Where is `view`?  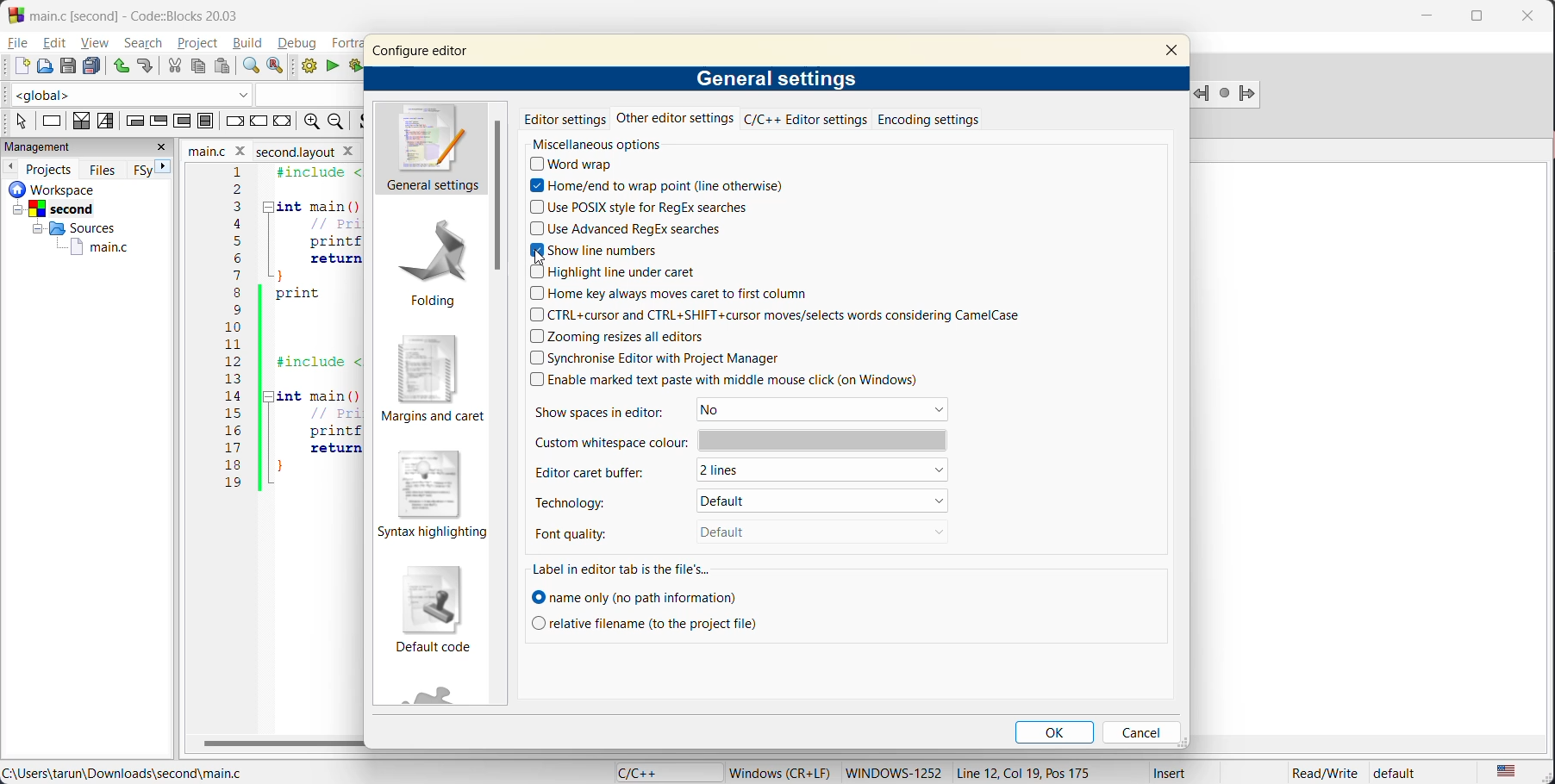 view is located at coordinates (97, 42).